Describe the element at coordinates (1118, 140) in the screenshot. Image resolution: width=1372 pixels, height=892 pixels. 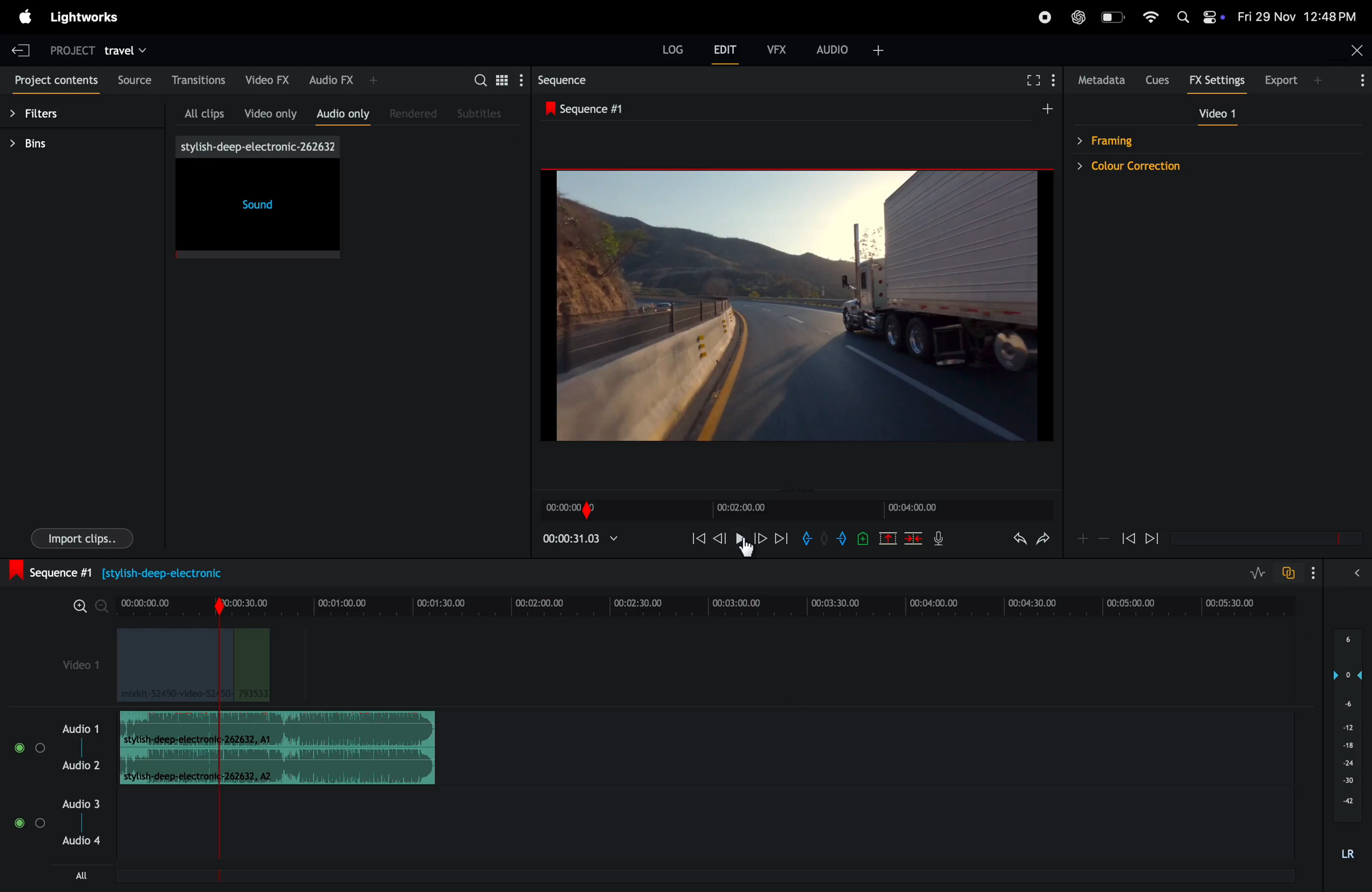
I see `framing` at that location.